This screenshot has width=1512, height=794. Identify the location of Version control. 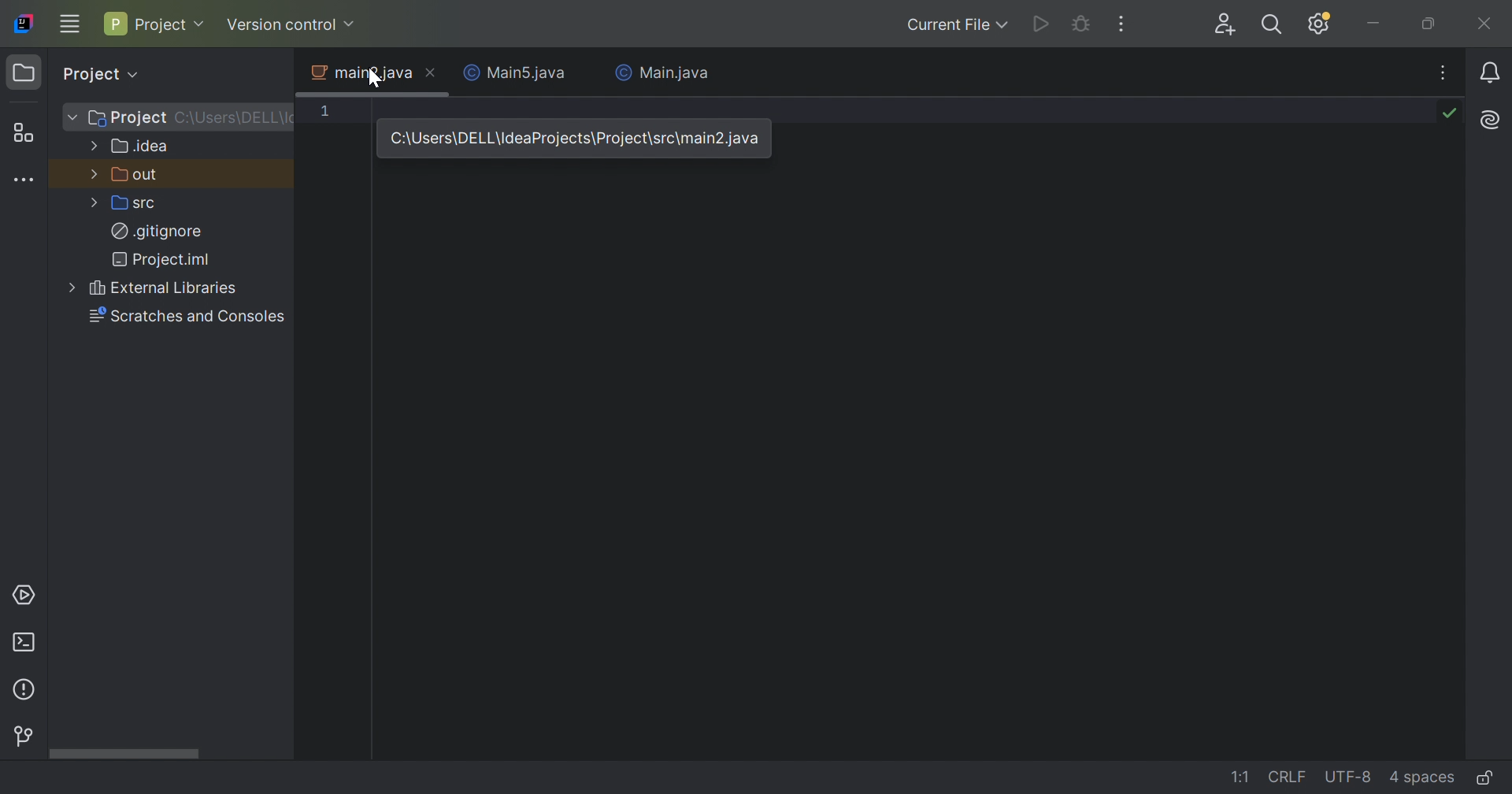
(24, 736).